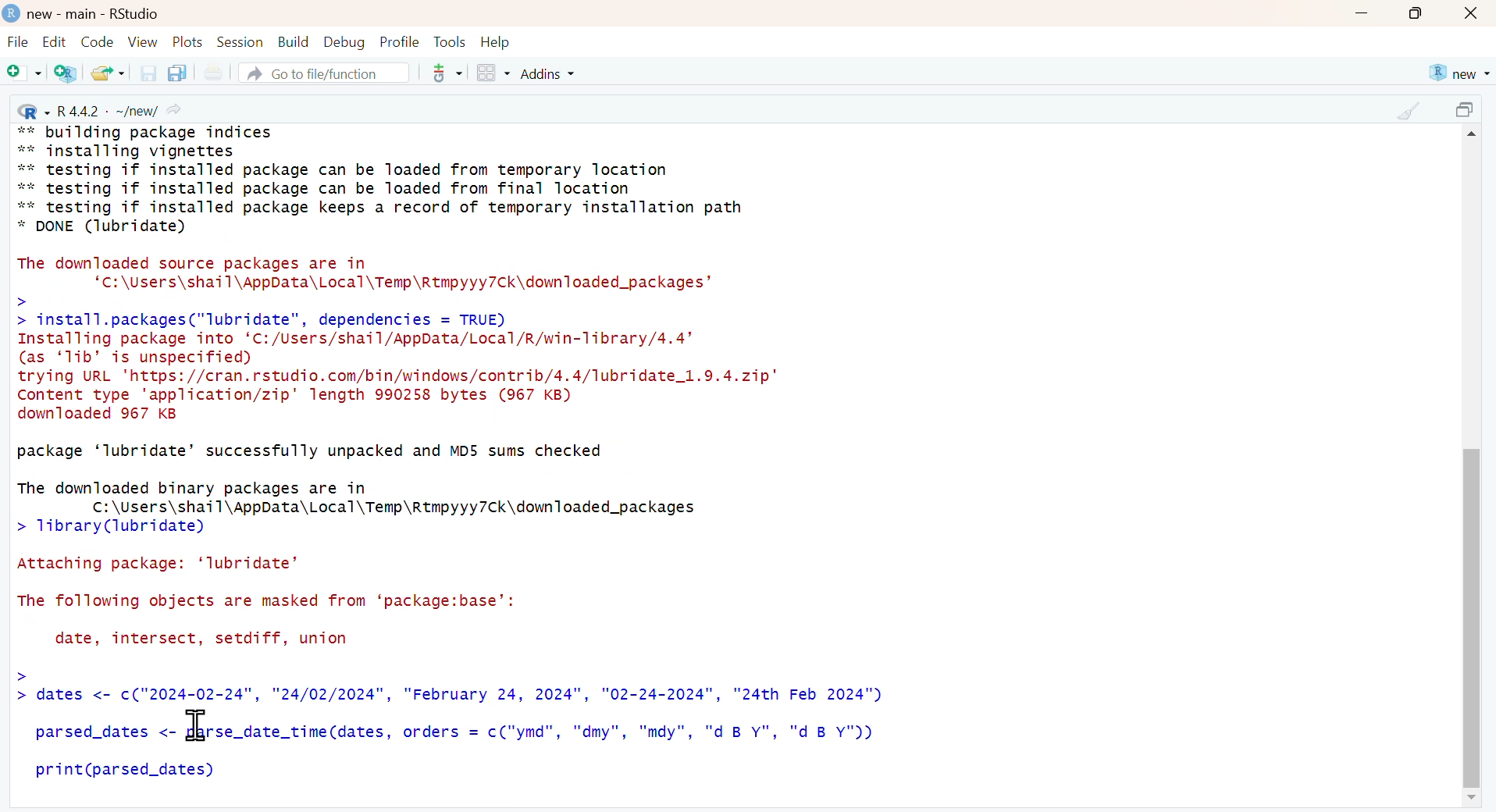 The width and height of the screenshot is (1496, 812). I want to click on Addins, so click(550, 73).